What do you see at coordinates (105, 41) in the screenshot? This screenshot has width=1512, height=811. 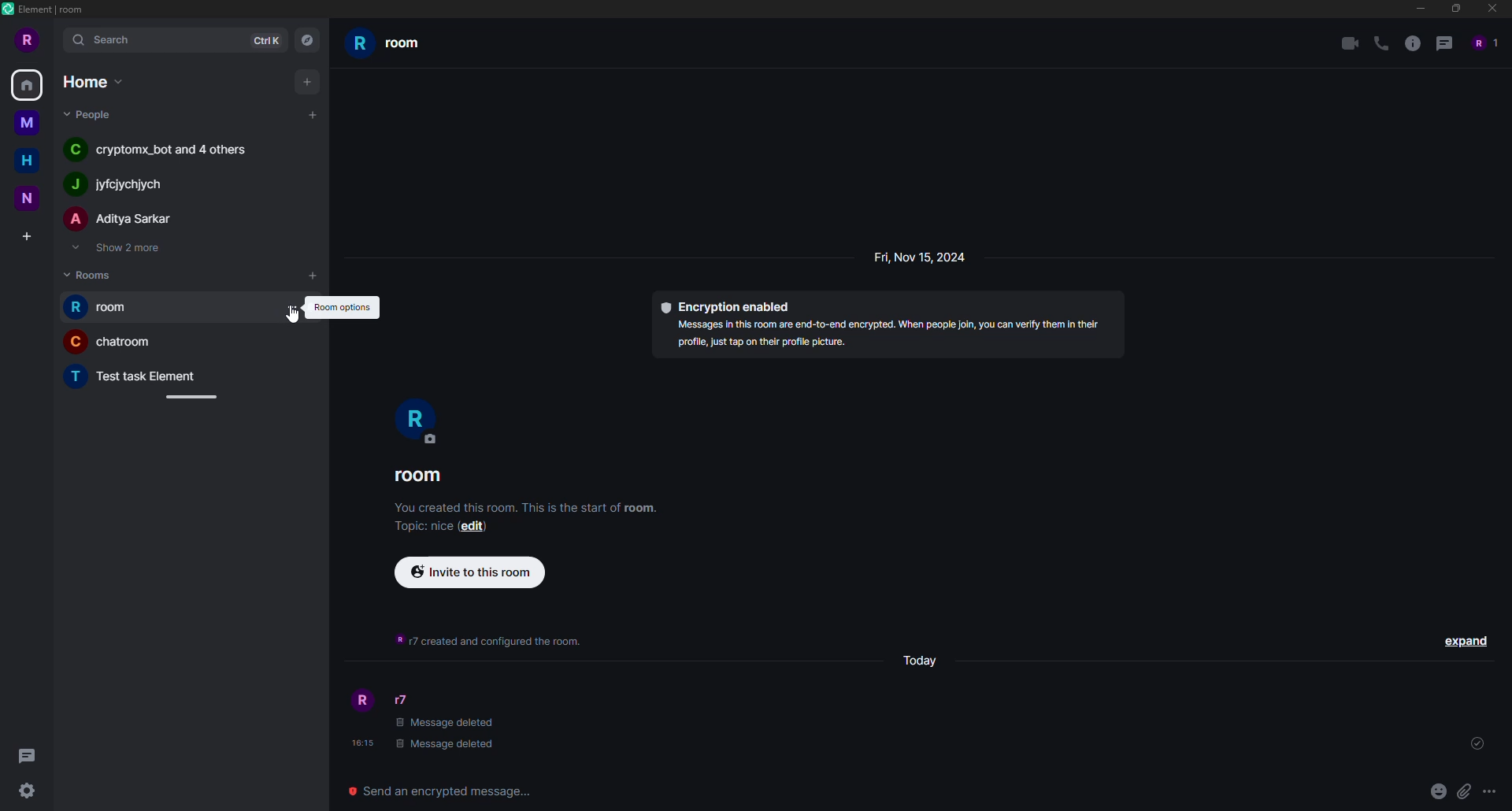 I see `search` at bounding box center [105, 41].